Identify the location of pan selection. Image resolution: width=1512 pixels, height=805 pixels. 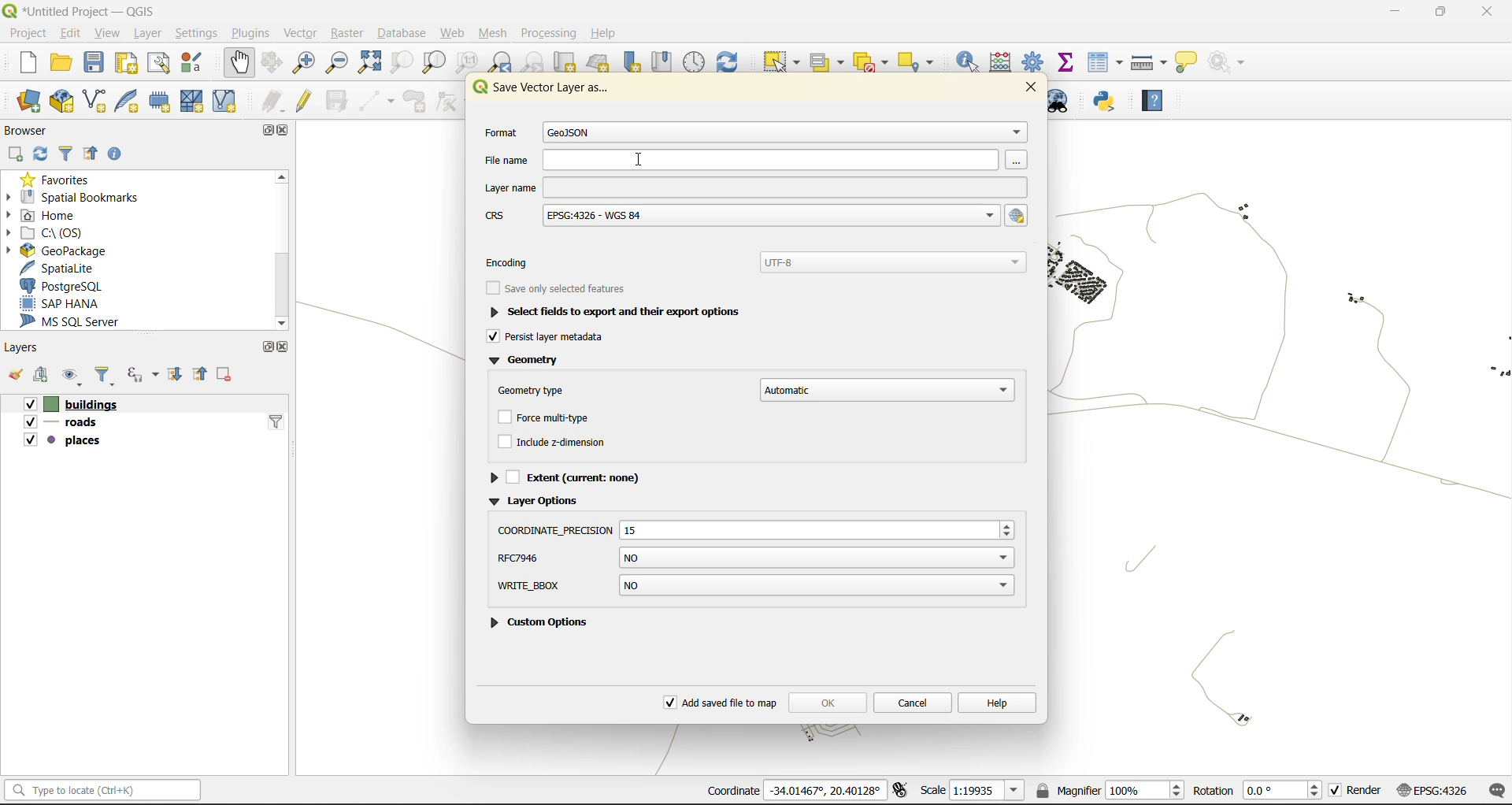
(272, 61).